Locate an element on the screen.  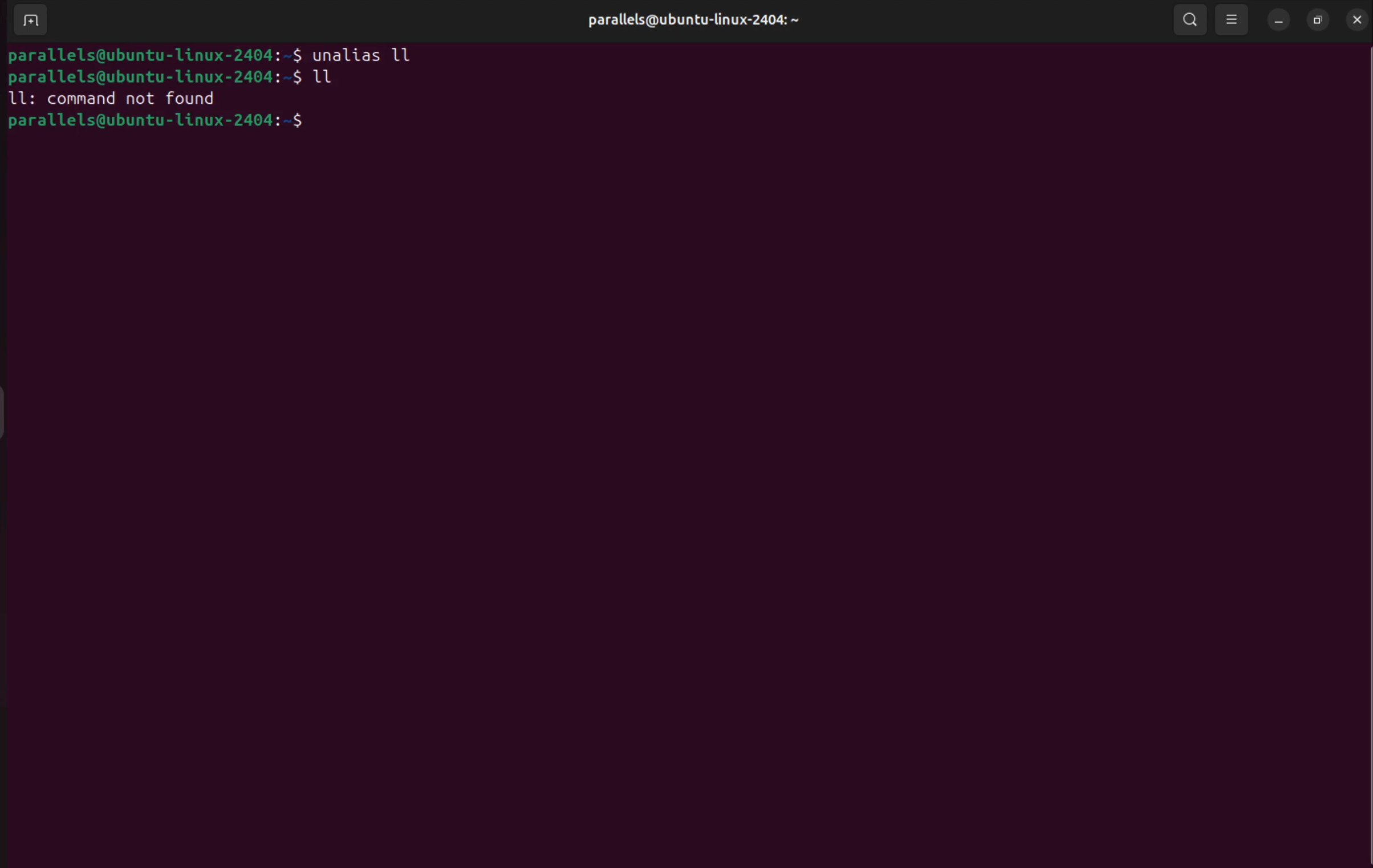
userprofile is located at coordinates (692, 22).